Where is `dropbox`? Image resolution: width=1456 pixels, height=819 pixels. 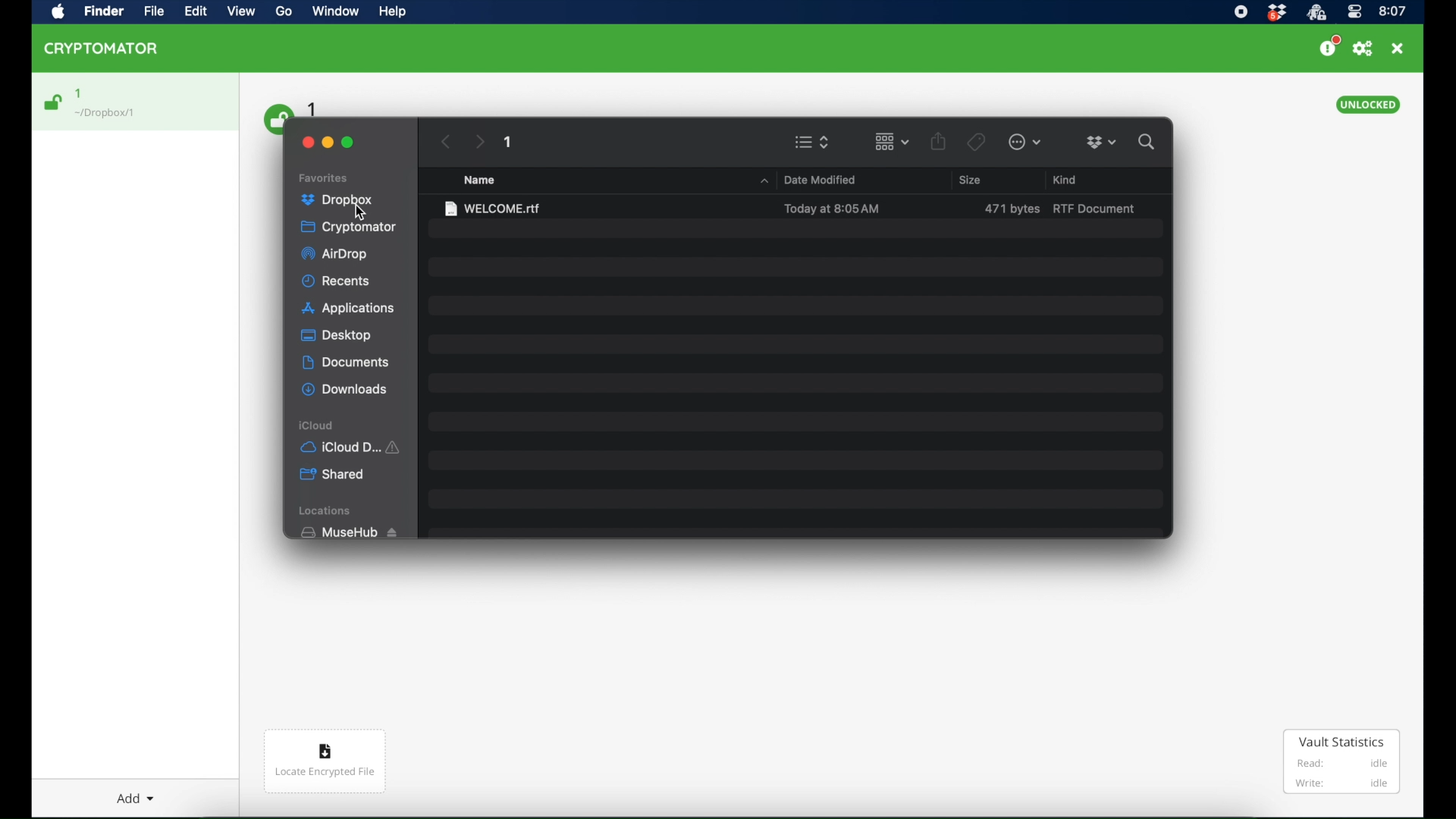
dropbox is located at coordinates (338, 201).